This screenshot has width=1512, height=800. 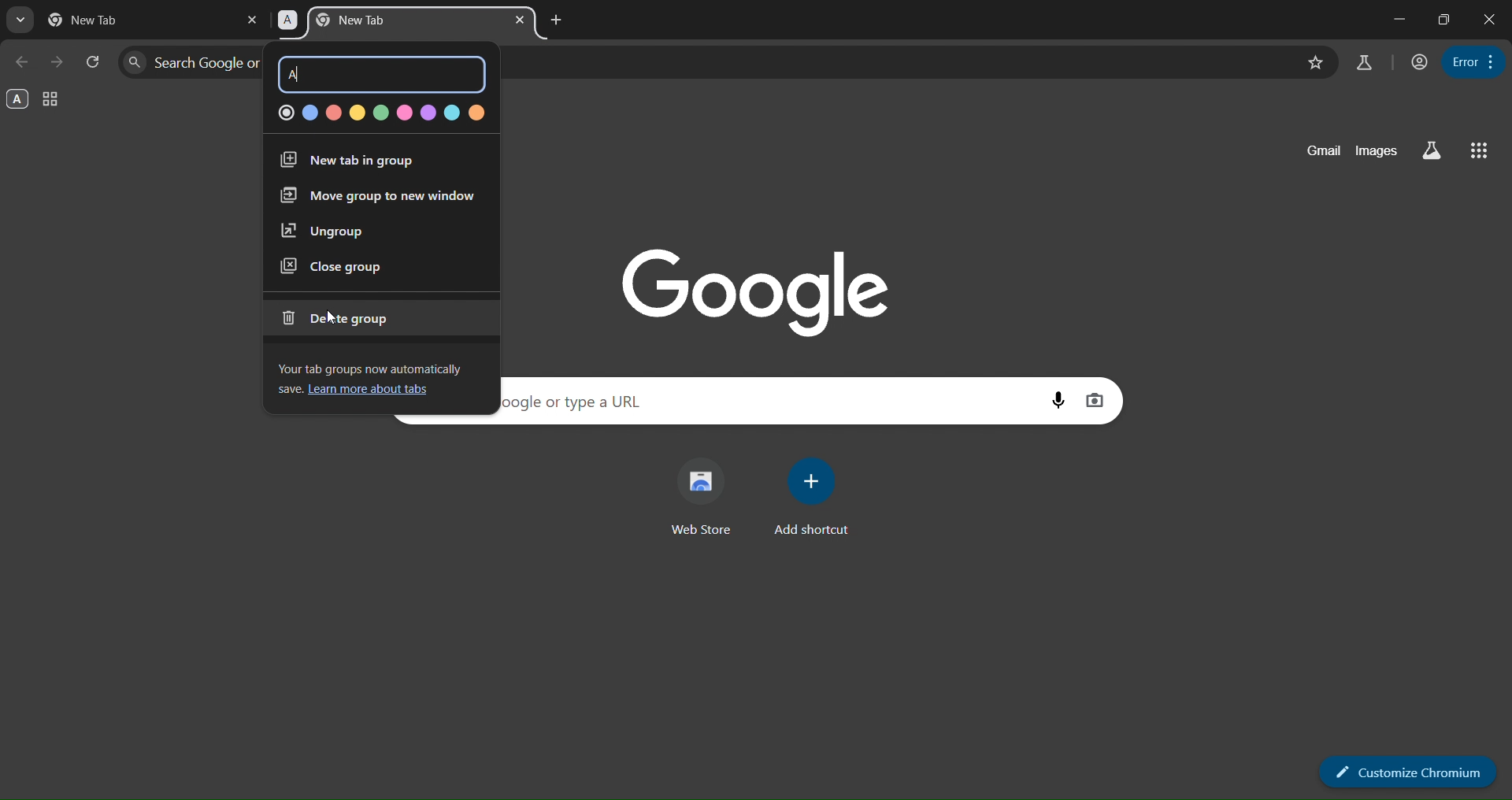 What do you see at coordinates (344, 317) in the screenshot?
I see `delete group` at bounding box center [344, 317].